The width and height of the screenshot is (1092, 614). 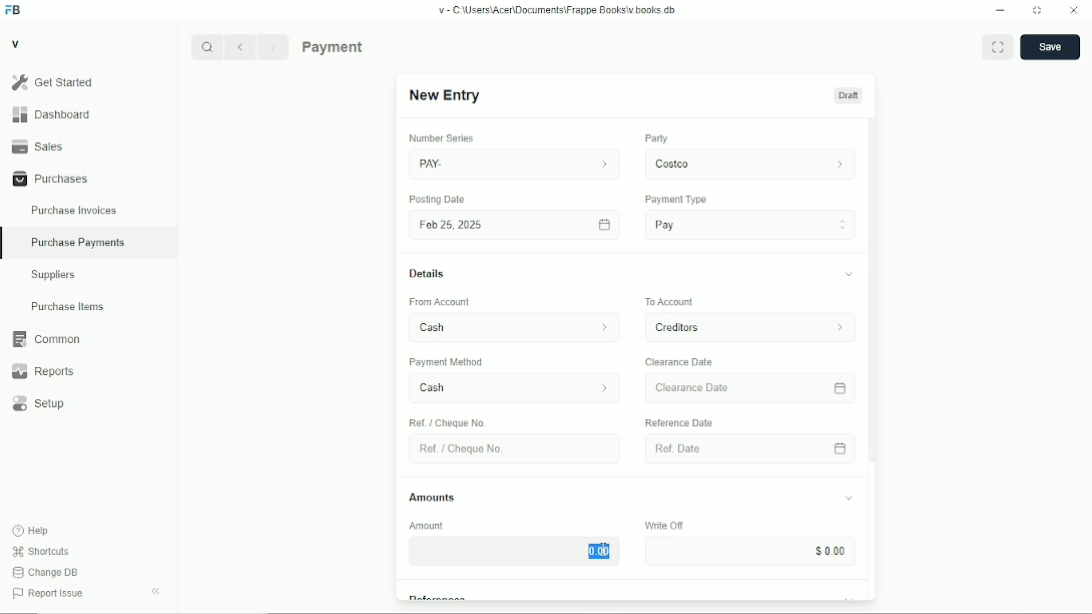 What do you see at coordinates (1000, 10) in the screenshot?
I see `Minimize` at bounding box center [1000, 10].